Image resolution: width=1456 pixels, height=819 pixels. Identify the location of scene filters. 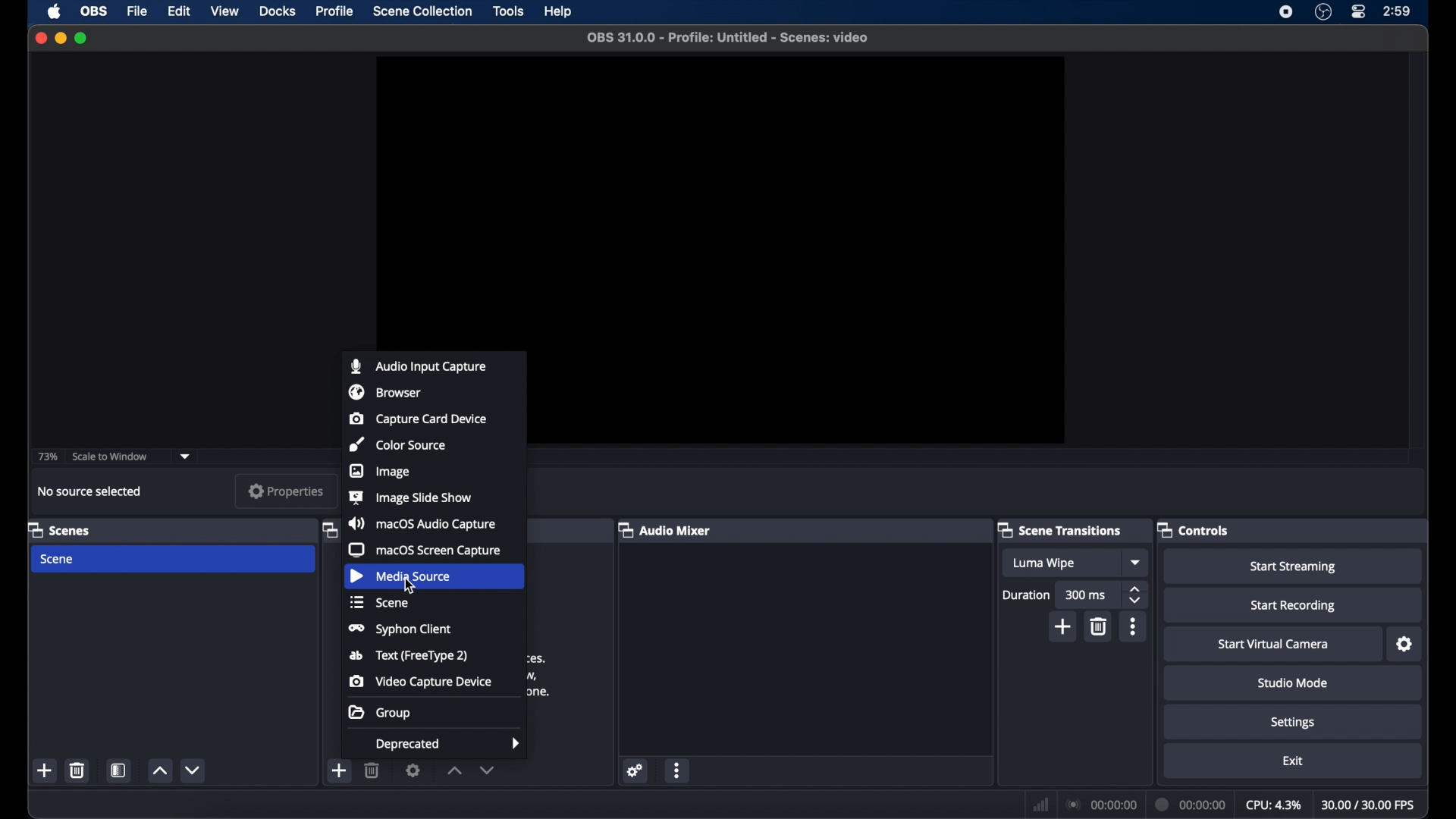
(118, 770).